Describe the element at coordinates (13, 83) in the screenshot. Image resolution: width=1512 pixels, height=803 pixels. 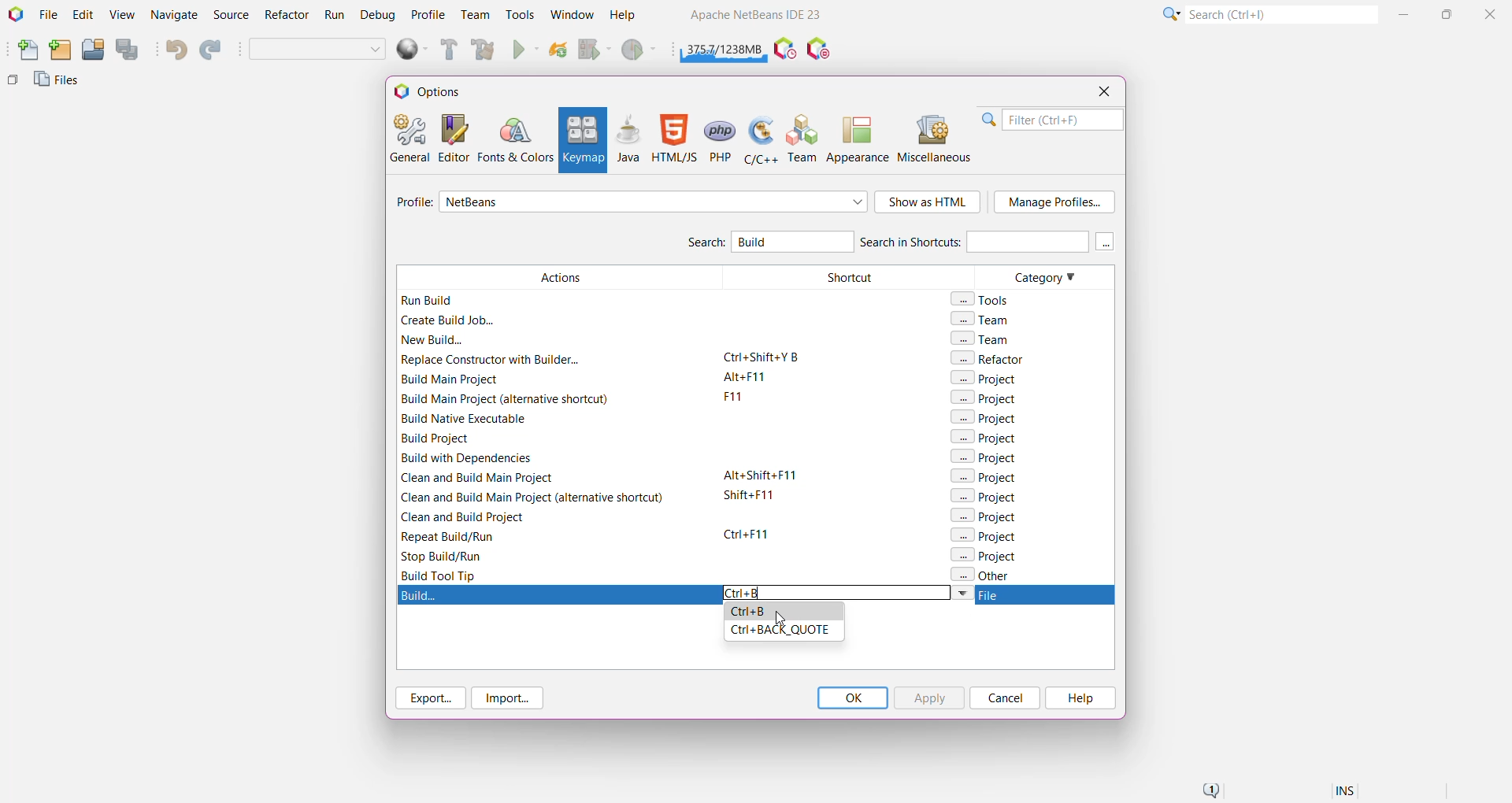
I see `` at that location.